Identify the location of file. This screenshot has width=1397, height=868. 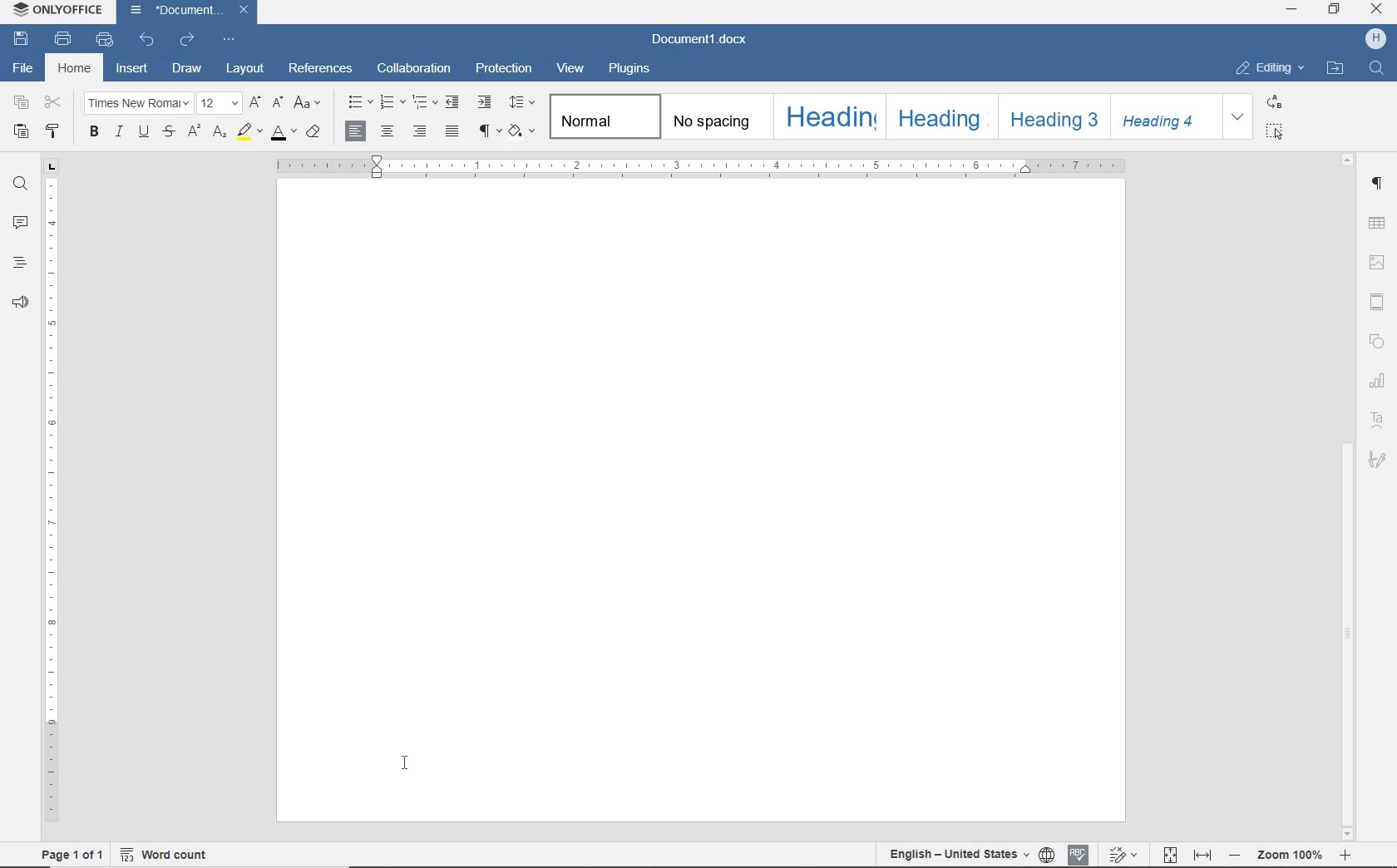
(24, 69).